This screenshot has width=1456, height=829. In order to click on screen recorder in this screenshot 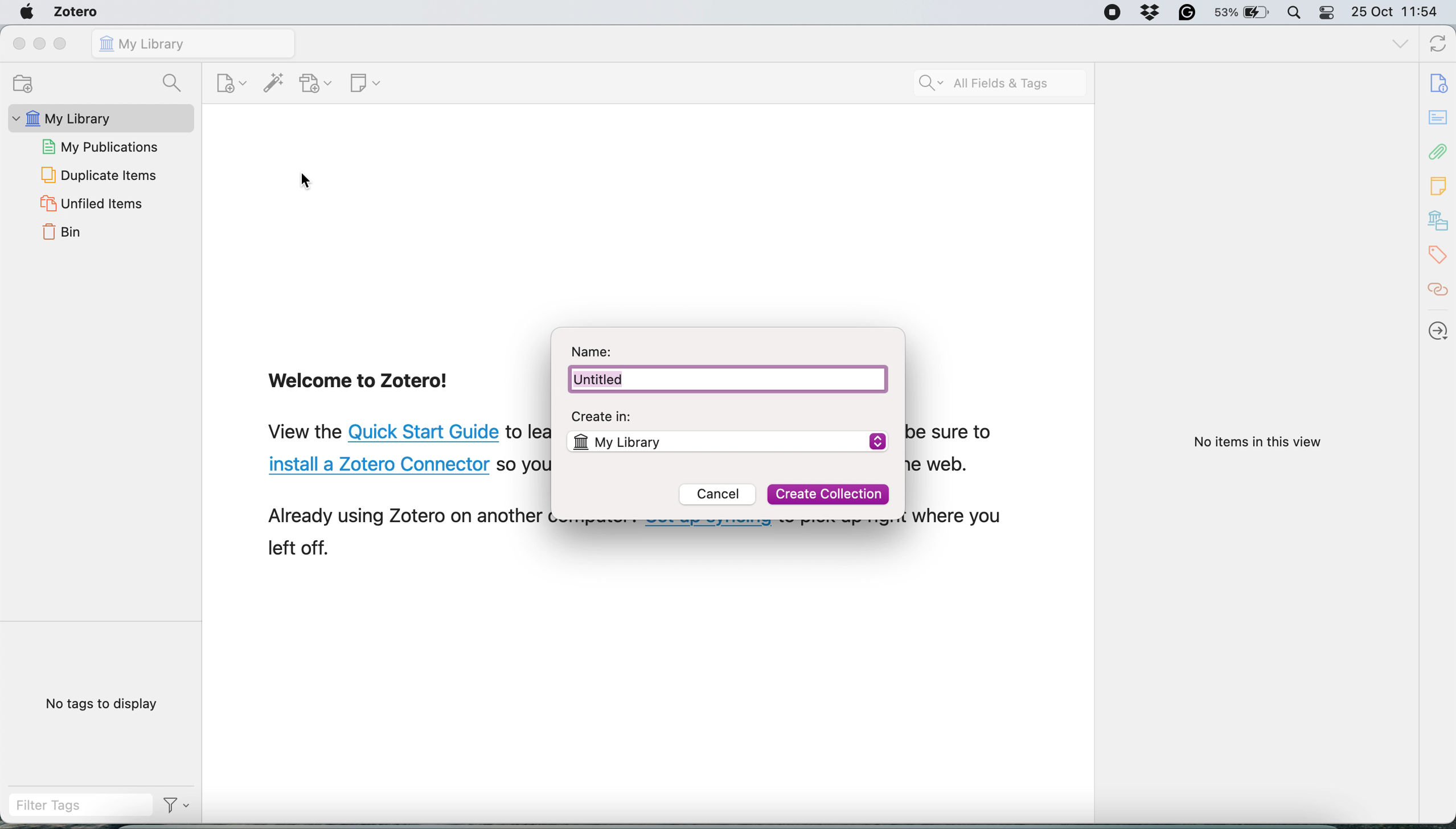, I will do `click(1110, 13)`.